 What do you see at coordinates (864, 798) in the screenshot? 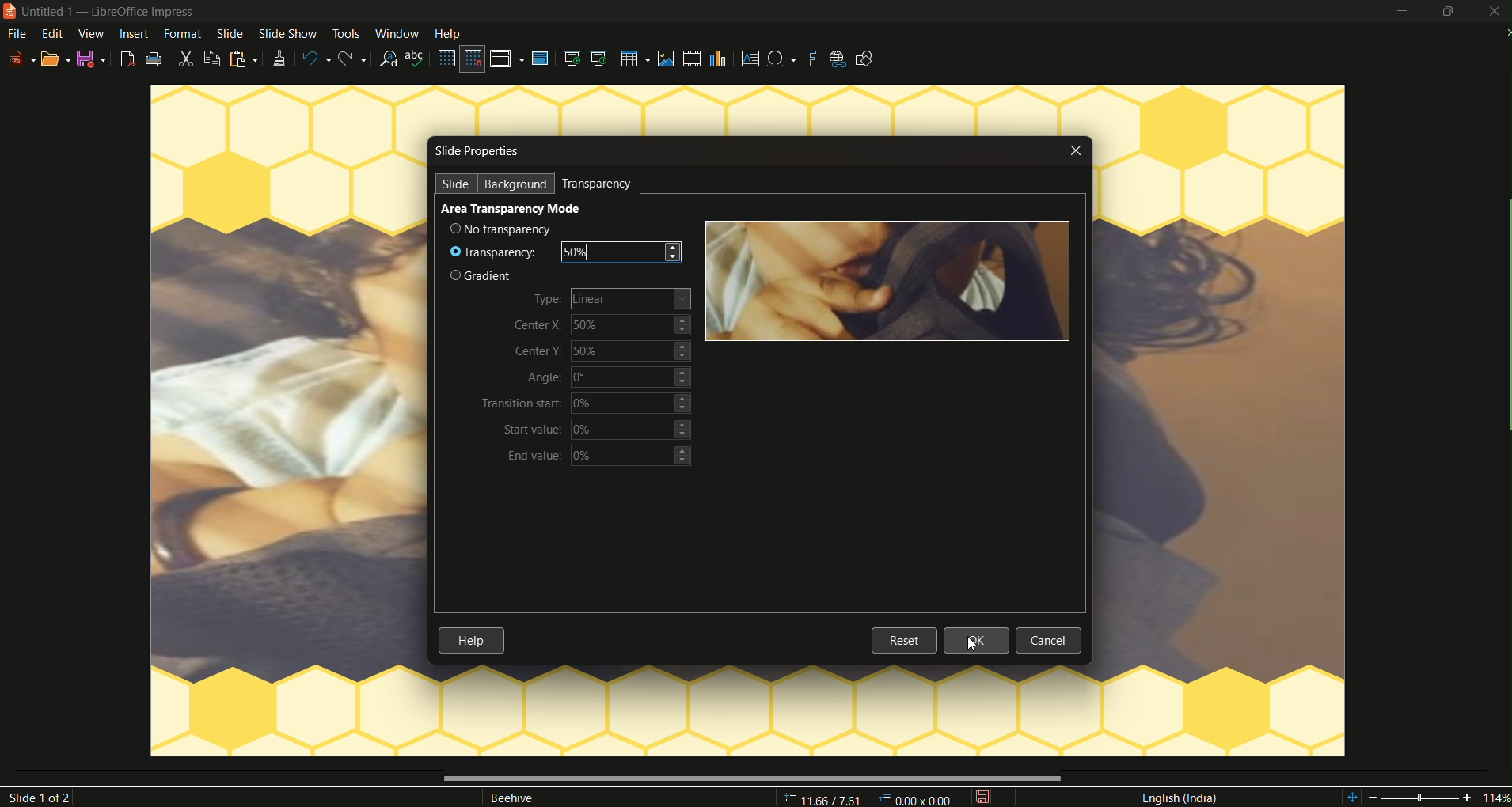
I see `11.66/7.61  00v 000` at bounding box center [864, 798].